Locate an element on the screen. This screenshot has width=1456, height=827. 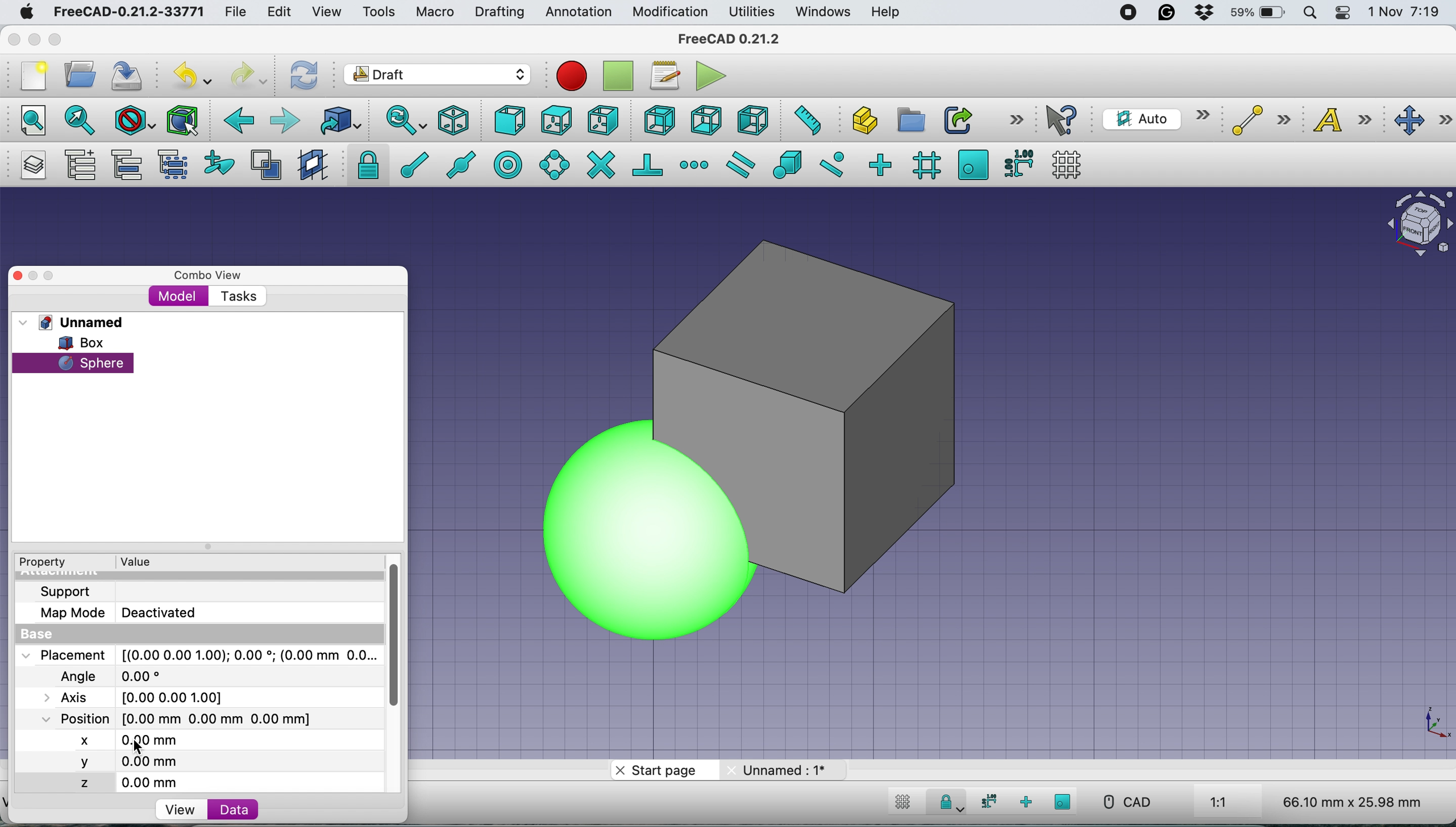
close is located at coordinates (23, 273).